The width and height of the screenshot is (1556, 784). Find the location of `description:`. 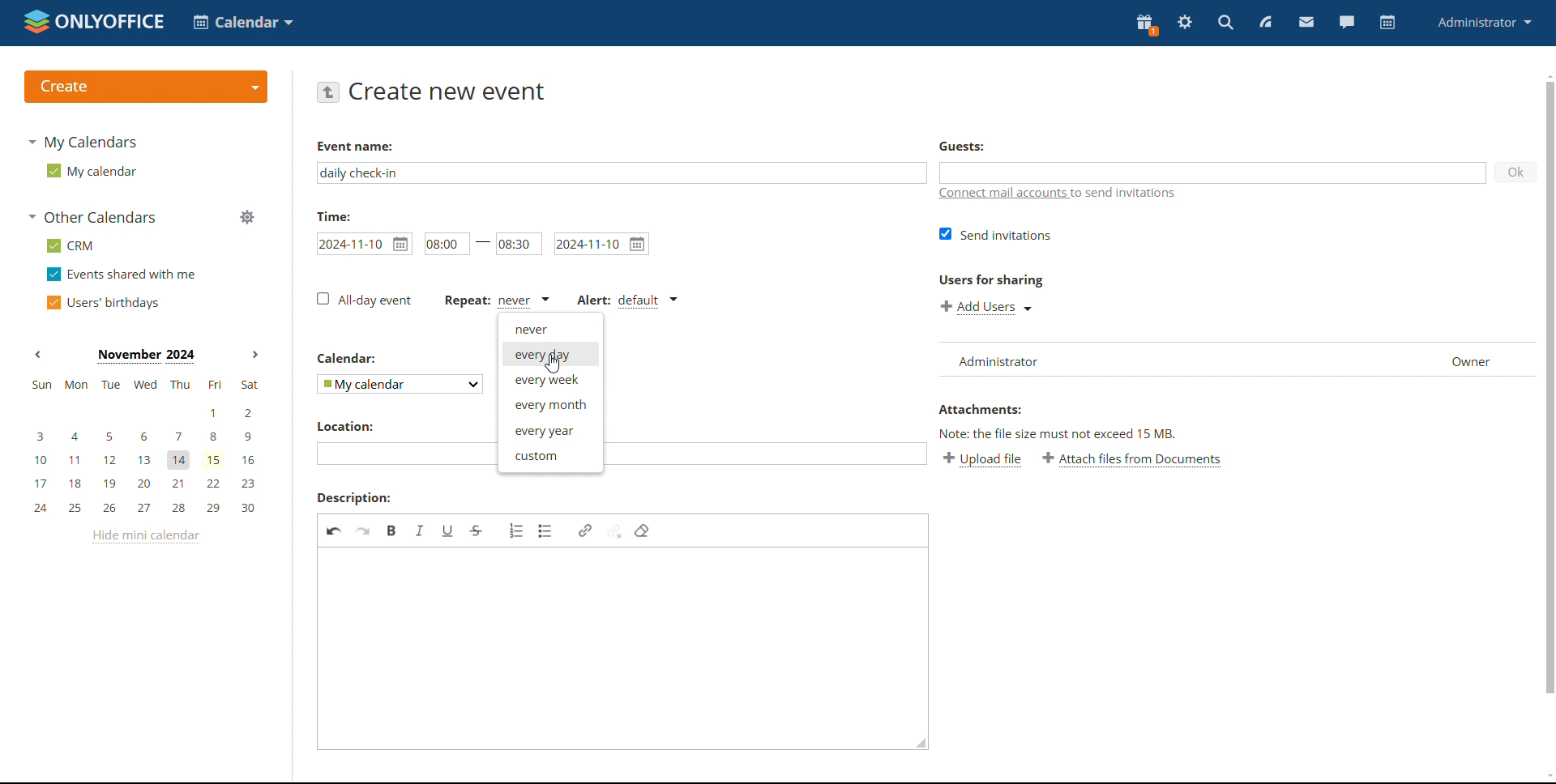

description: is located at coordinates (354, 497).